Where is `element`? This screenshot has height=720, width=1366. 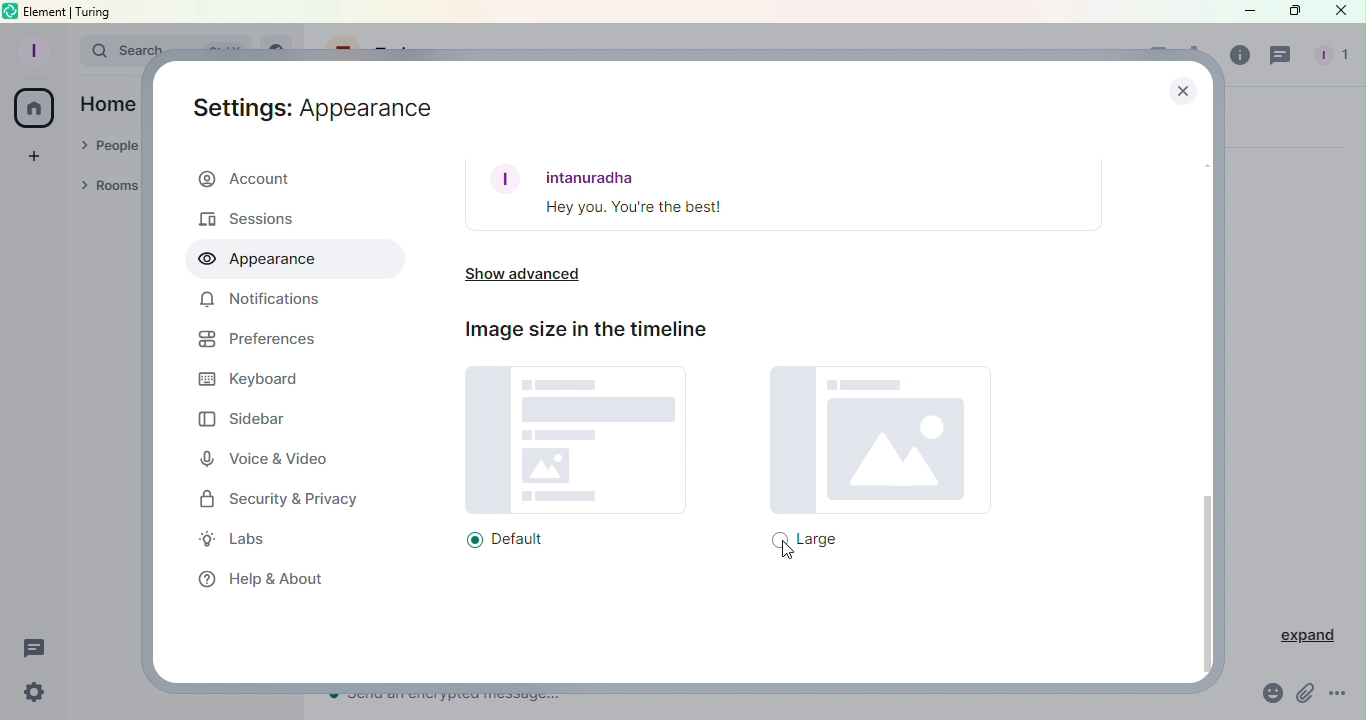 element is located at coordinates (47, 12).